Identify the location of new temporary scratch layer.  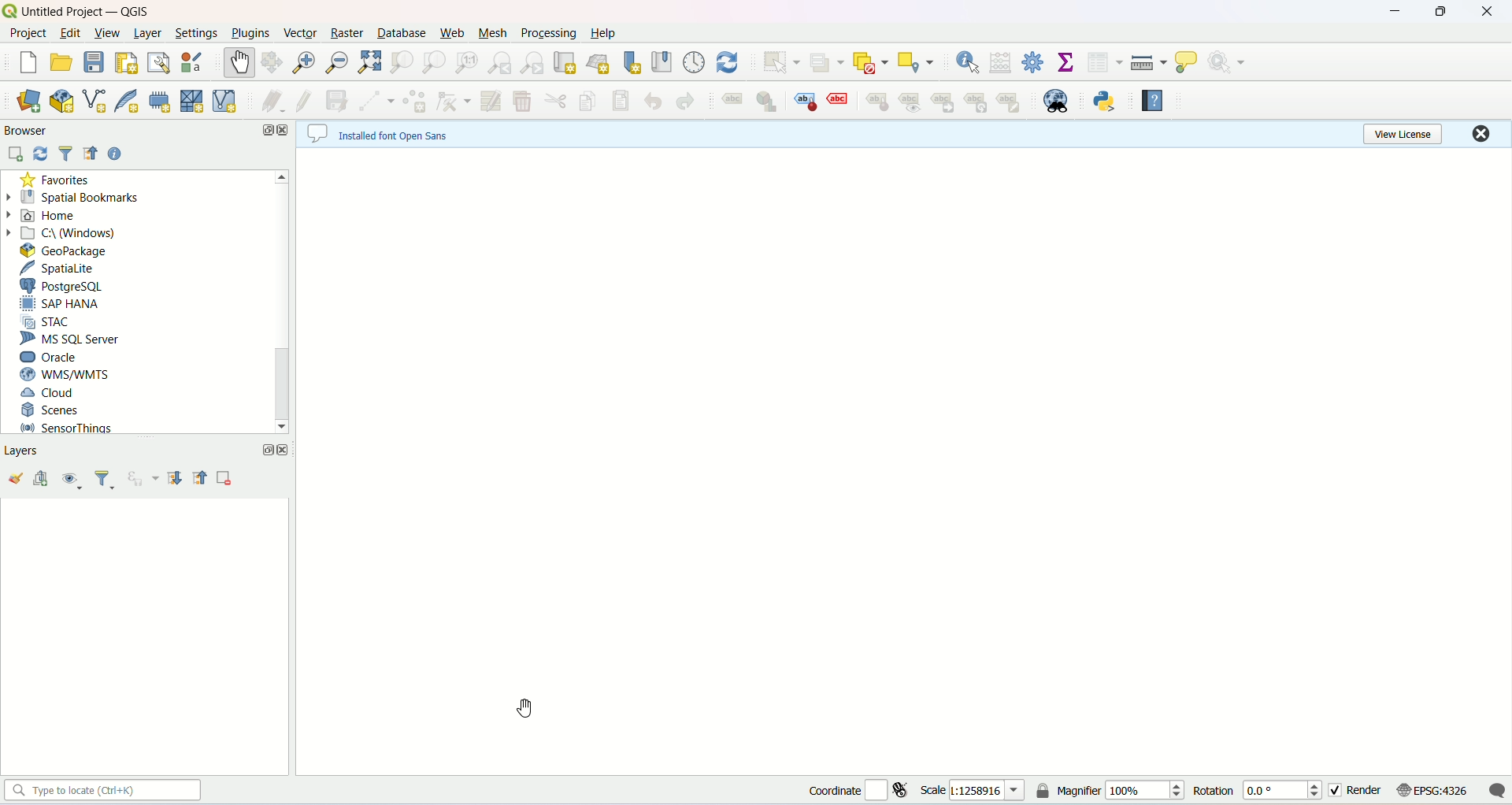
(159, 100).